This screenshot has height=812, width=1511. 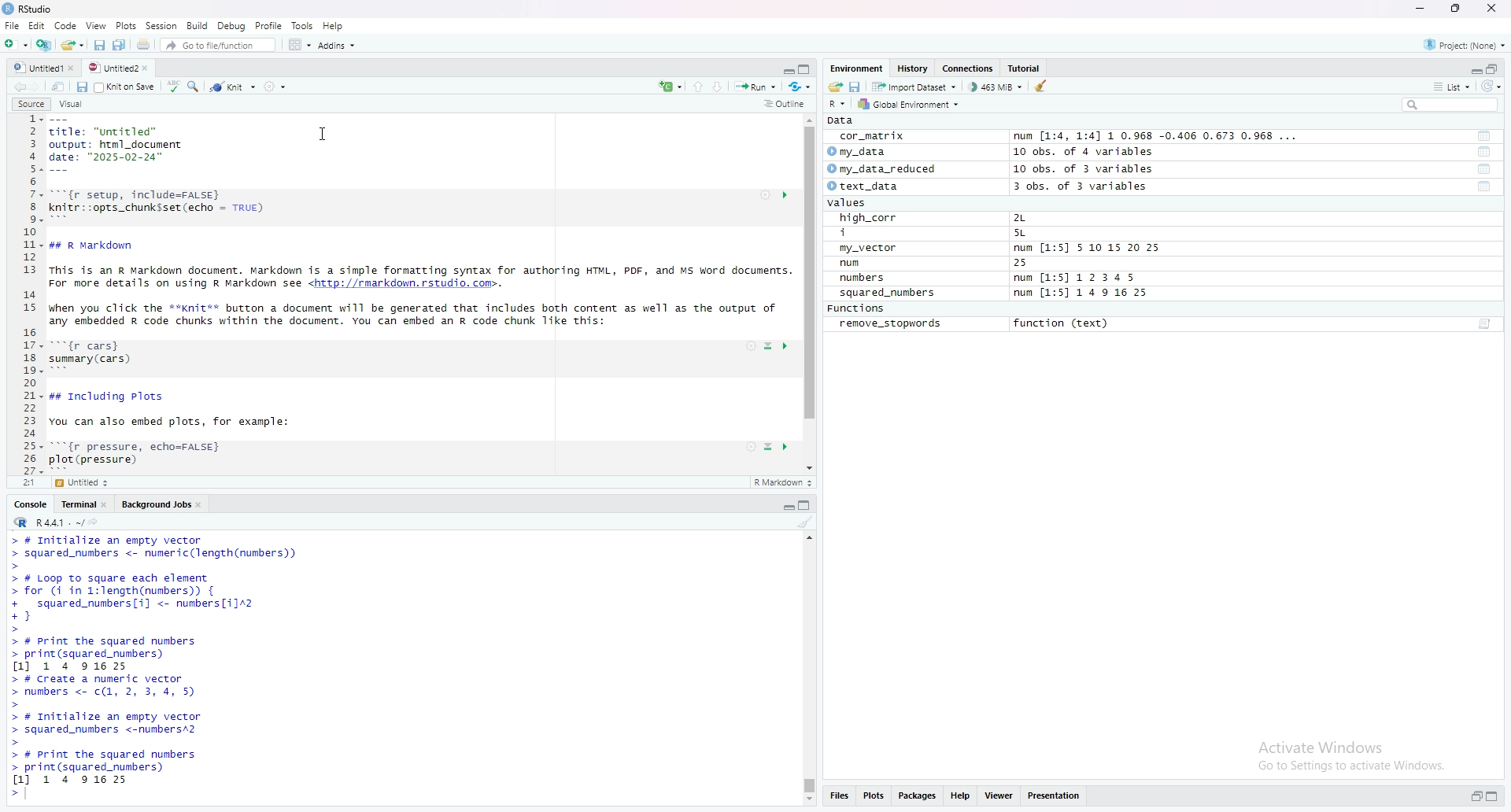 I want to click on Help, so click(x=332, y=25).